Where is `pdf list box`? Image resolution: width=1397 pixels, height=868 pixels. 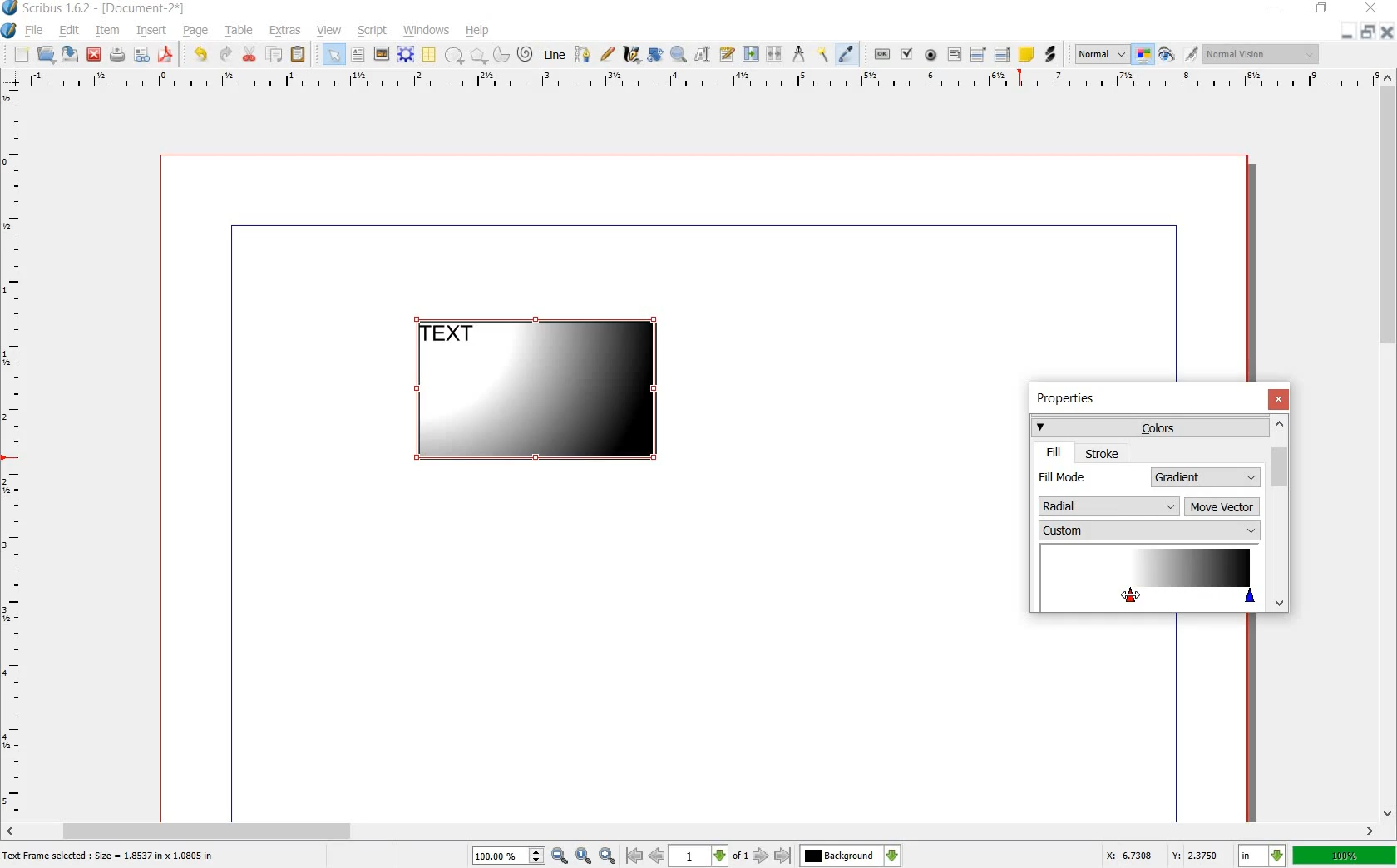
pdf list box is located at coordinates (1002, 53).